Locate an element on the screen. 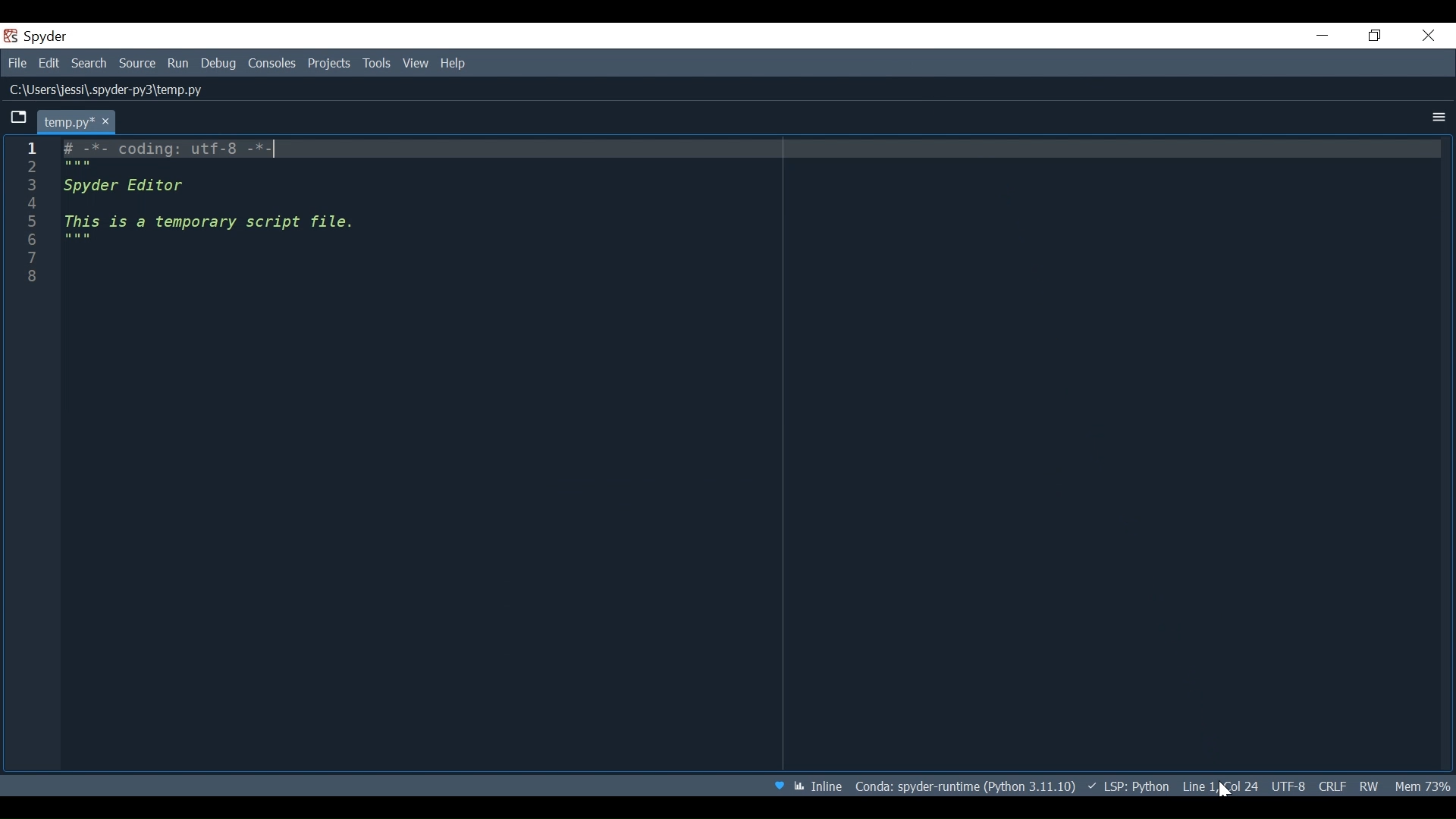 The height and width of the screenshot is (819, 1456). Search is located at coordinates (89, 63).